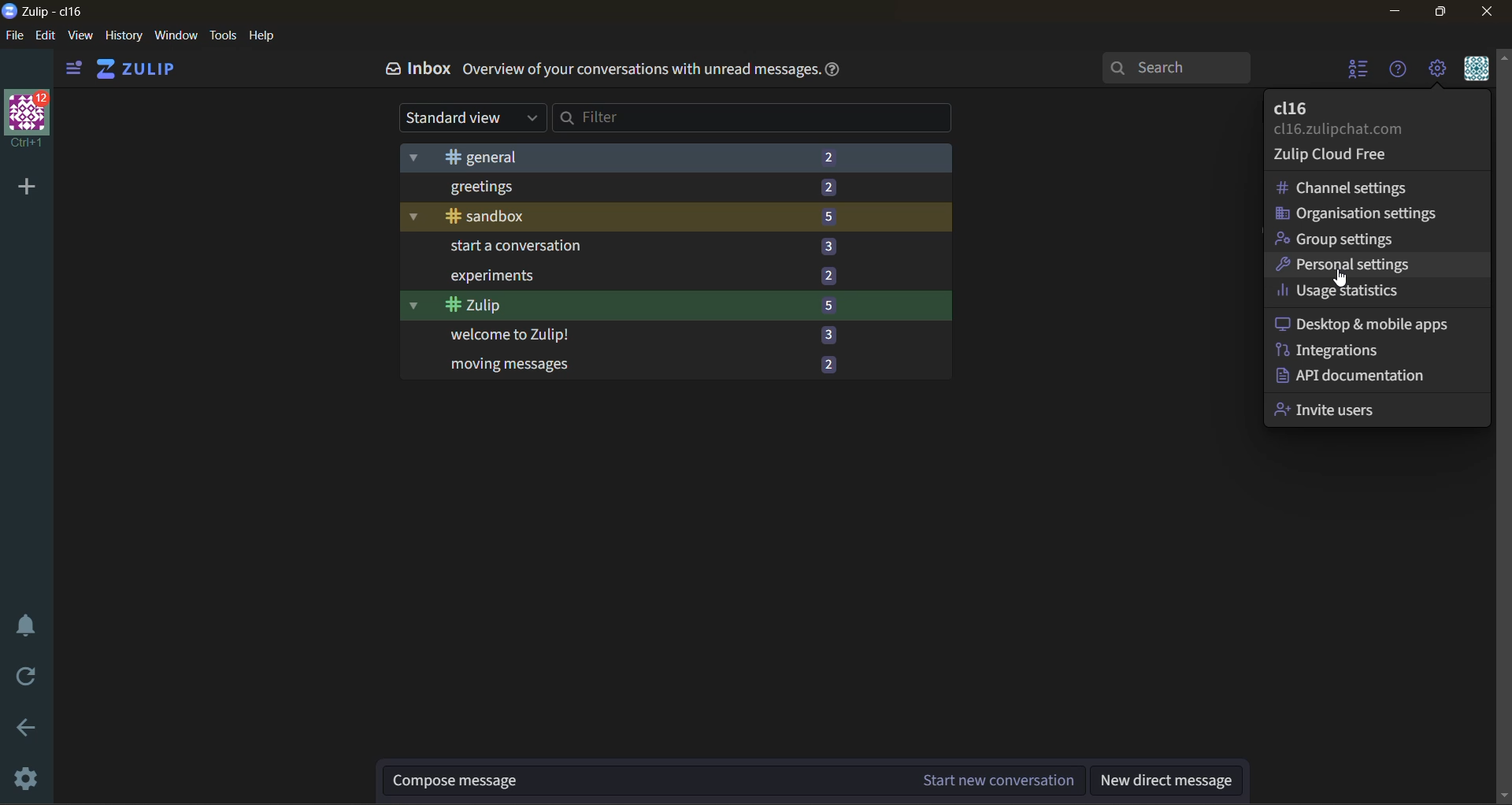  I want to click on maximize, so click(1443, 13).